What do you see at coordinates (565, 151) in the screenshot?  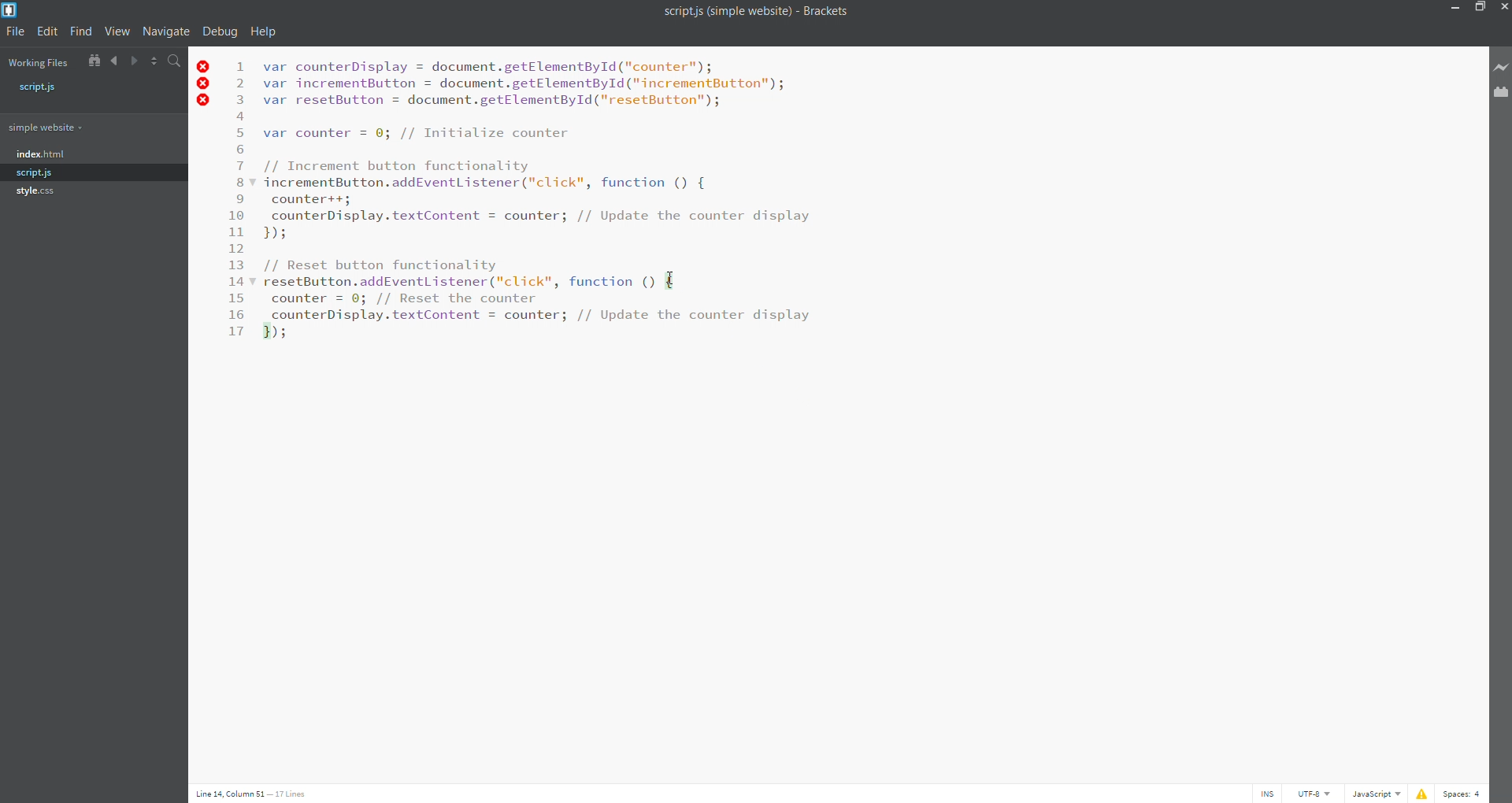 I see `code` at bounding box center [565, 151].